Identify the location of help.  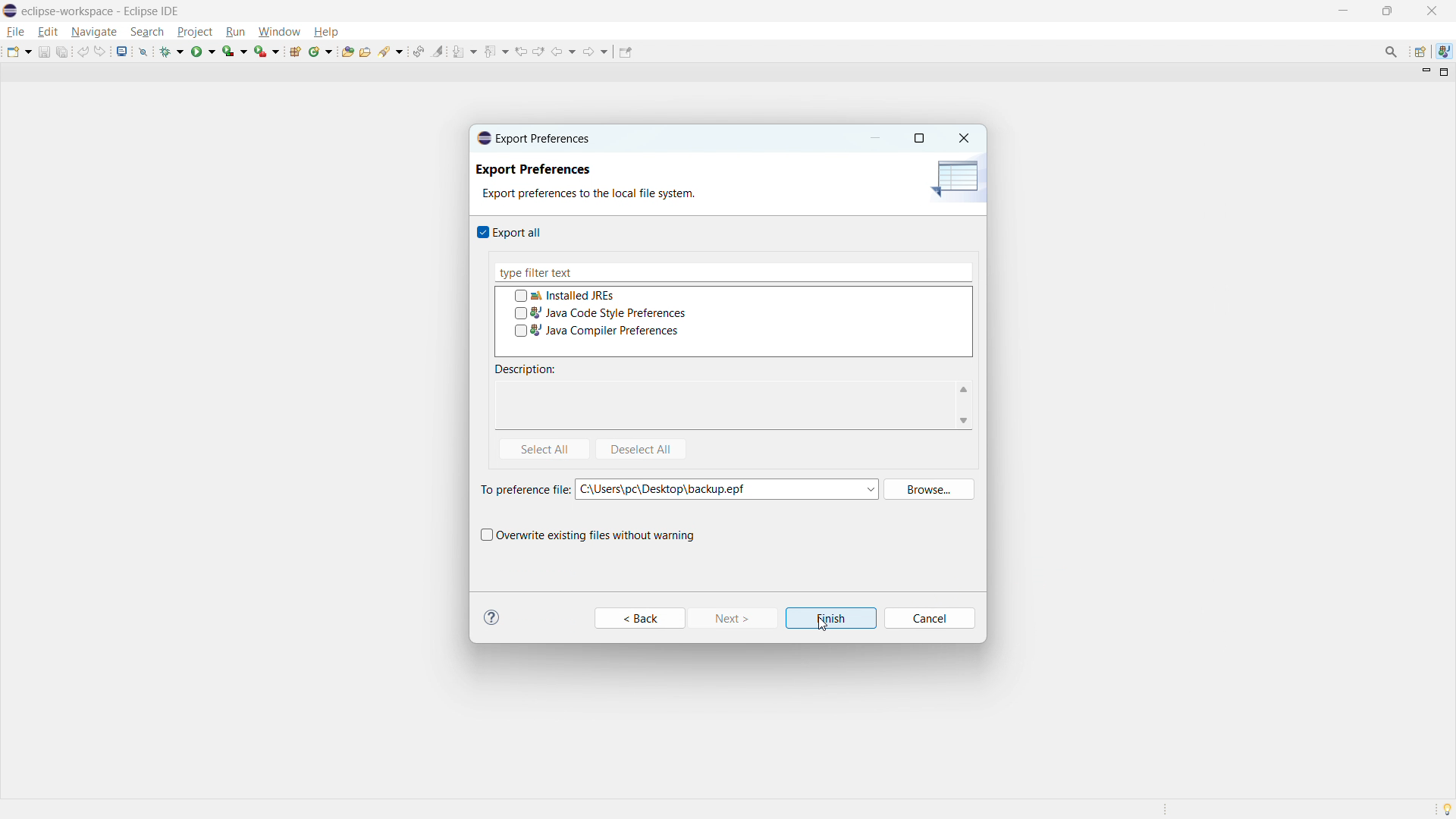
(325, 31).